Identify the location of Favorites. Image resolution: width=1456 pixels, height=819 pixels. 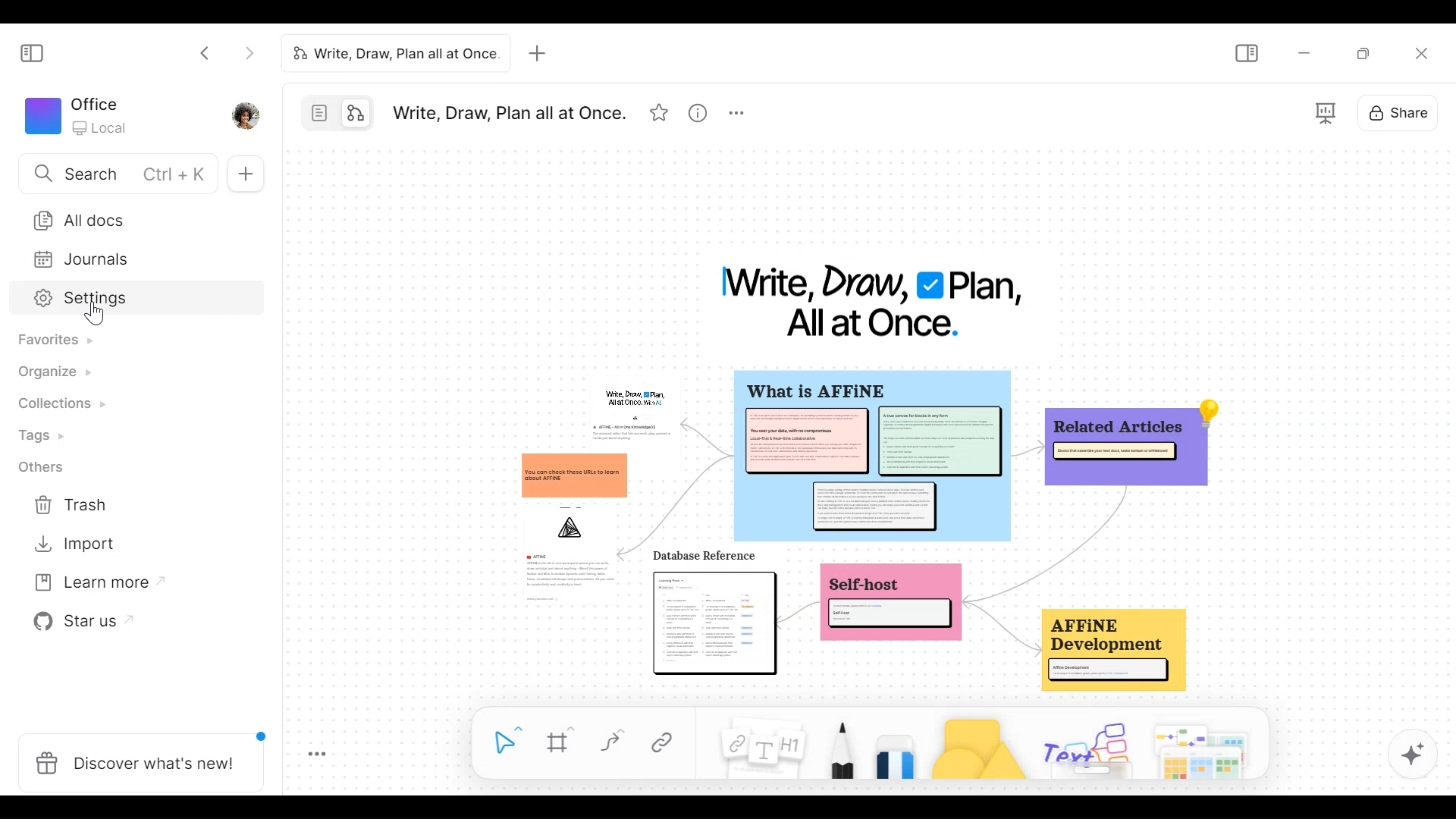
(61, 343).